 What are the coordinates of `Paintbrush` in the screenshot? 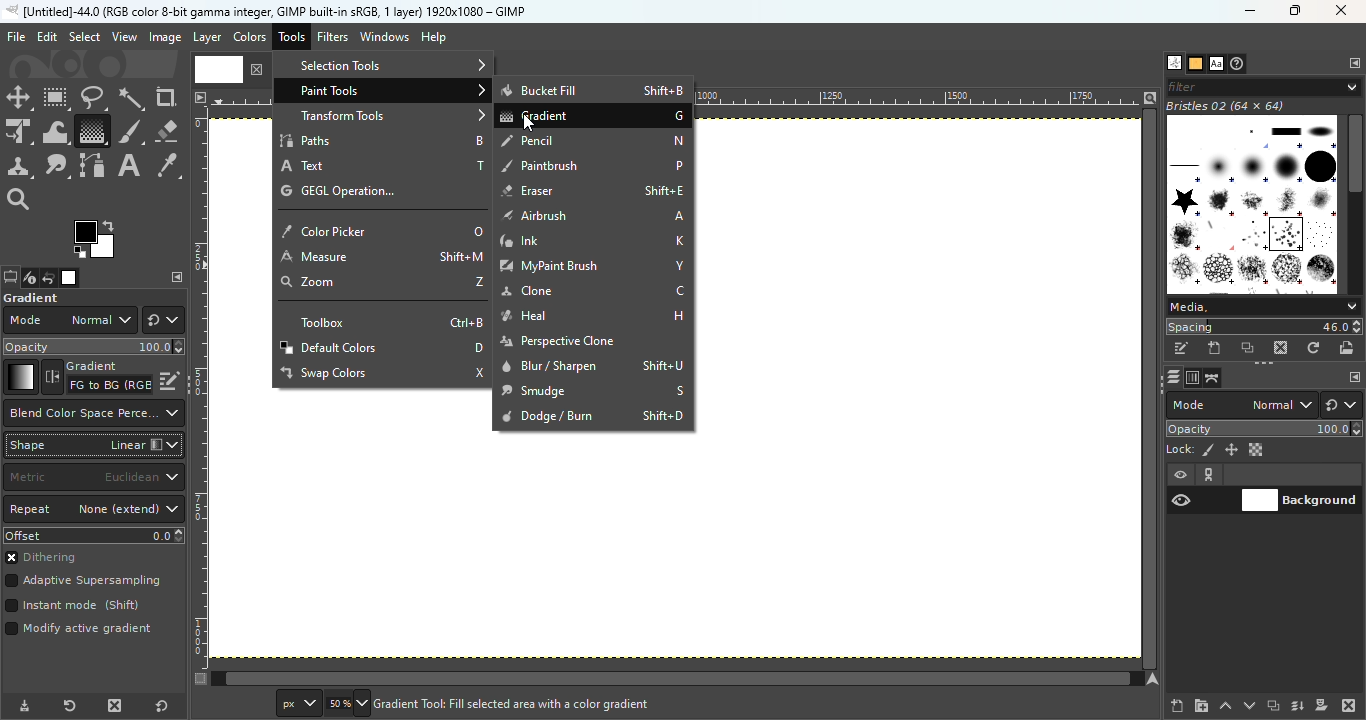 It's located at (592, 165).